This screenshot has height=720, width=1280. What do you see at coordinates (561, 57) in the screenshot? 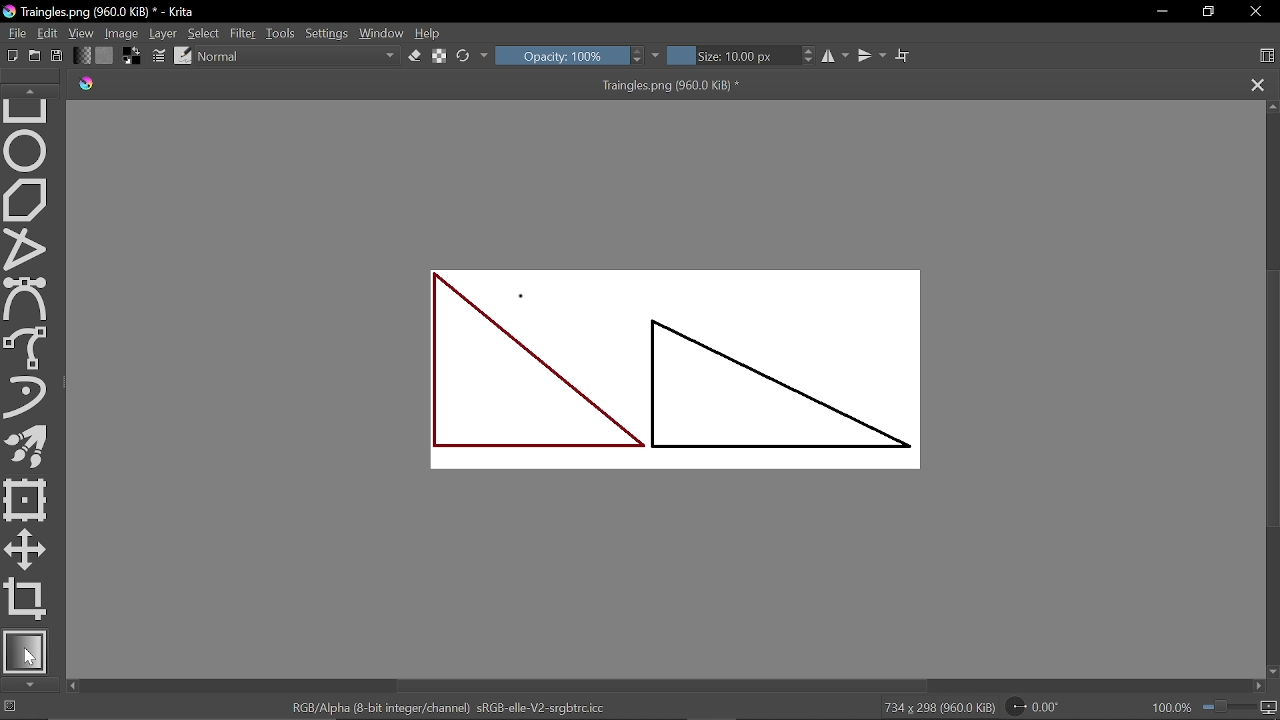
I see `Opacity: 100%` at bounding box center [561, 57].